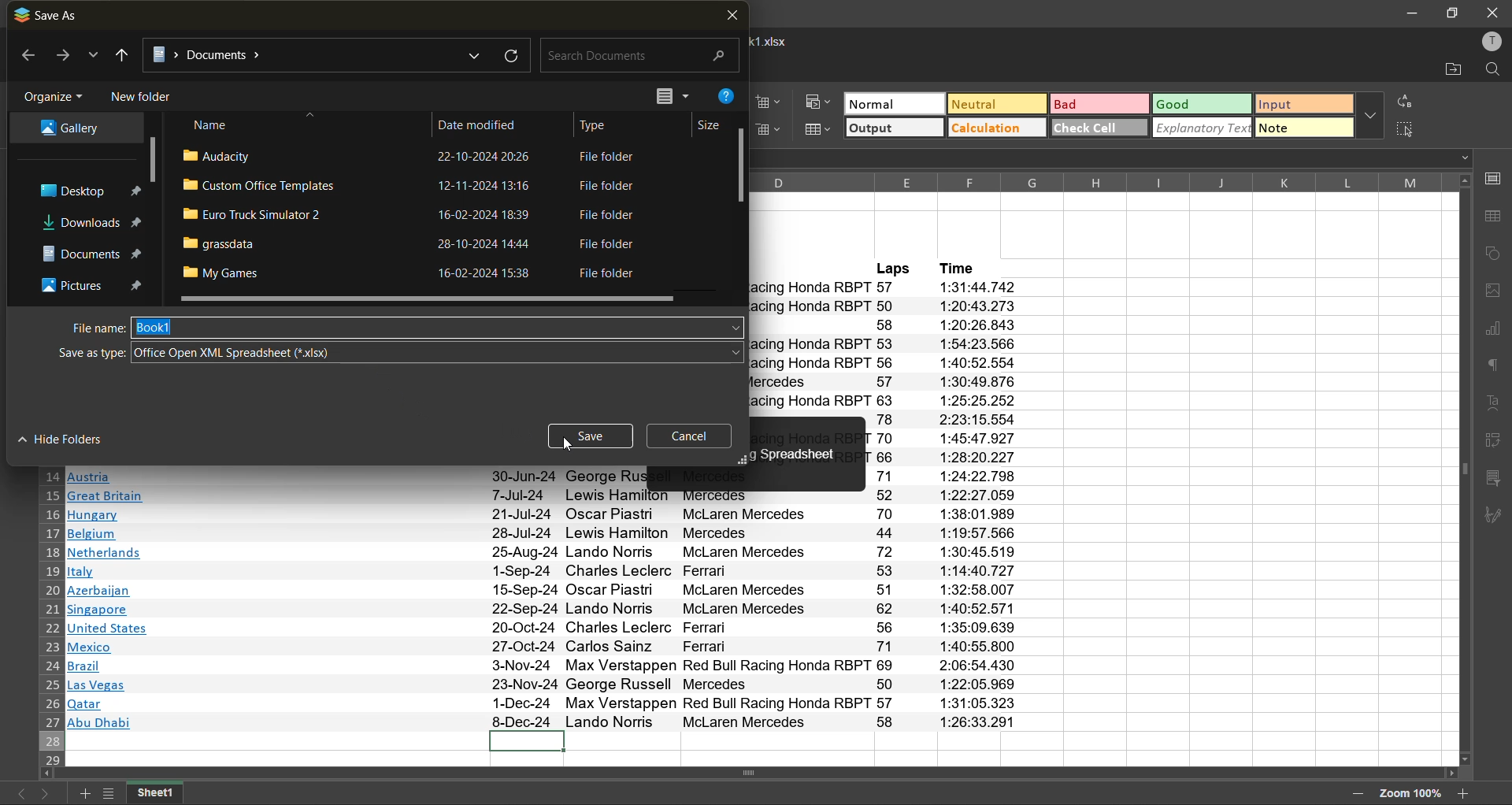  What do you see at coordinates (1360, 795) in the screenshot?
I see `zoom out` at bounding box center [1360, 795].